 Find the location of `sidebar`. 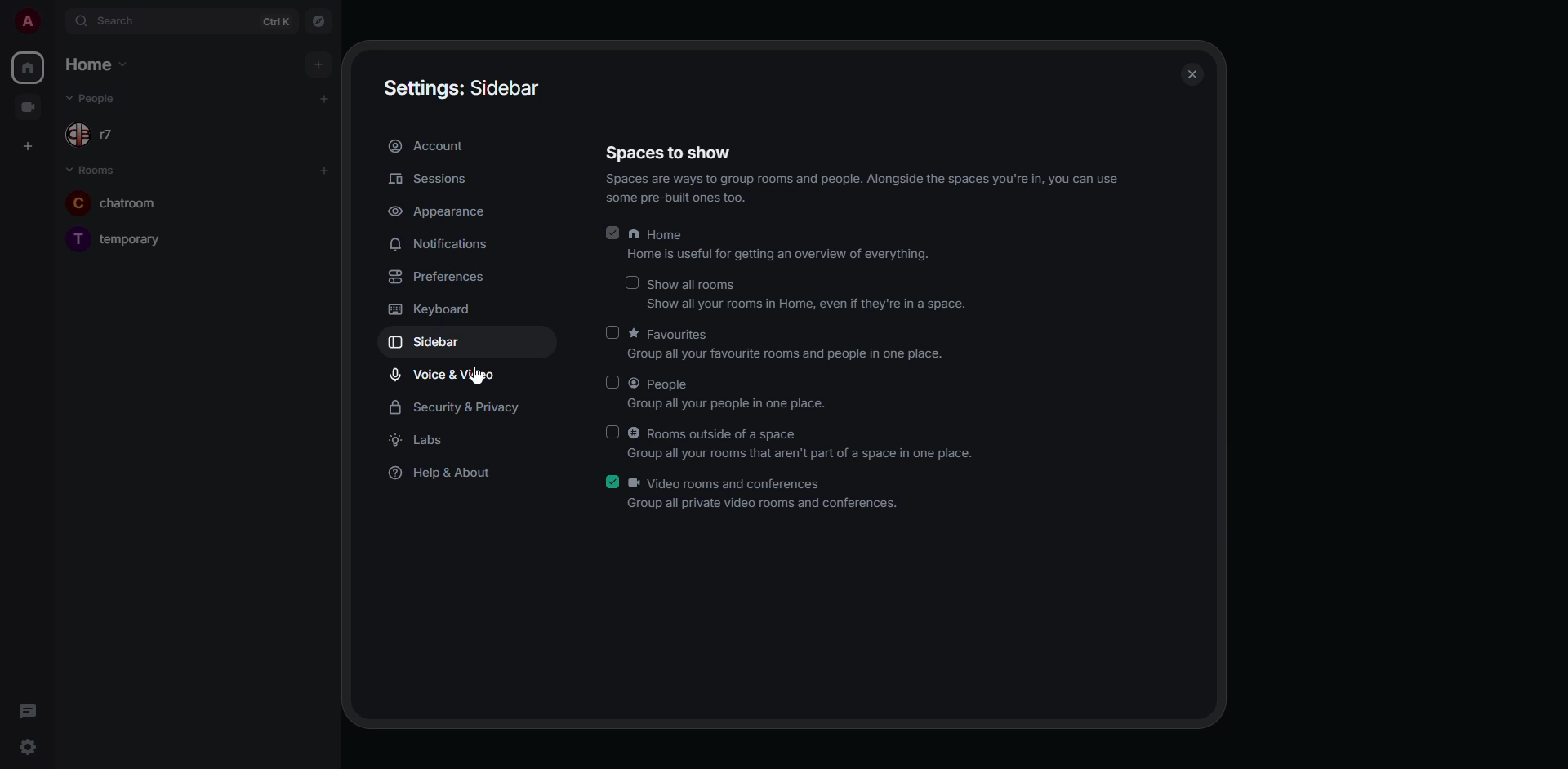

sidebar is located at coordinates (439, 340).